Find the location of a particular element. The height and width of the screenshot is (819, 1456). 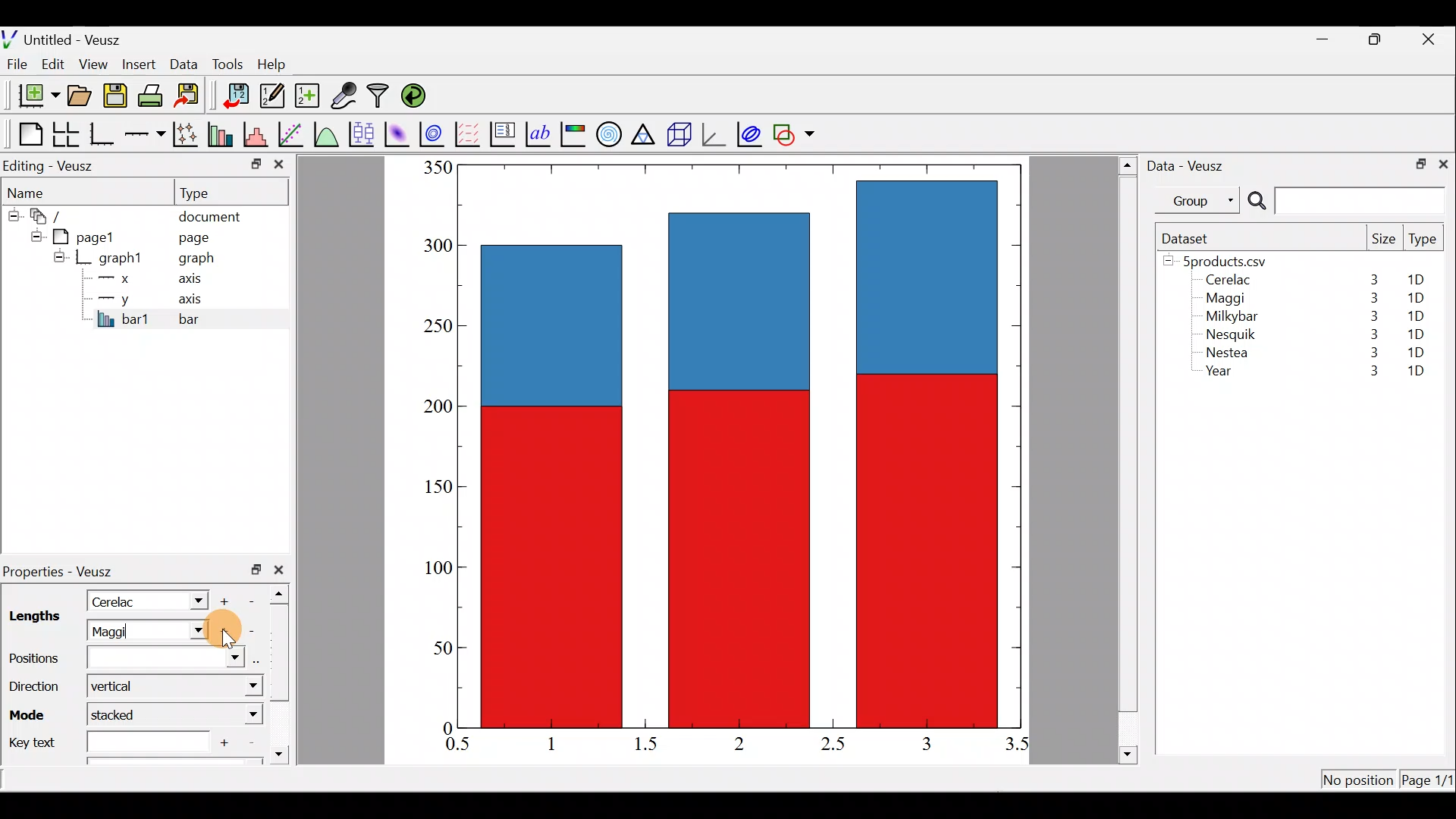

y is located at coordinates (114, 297).